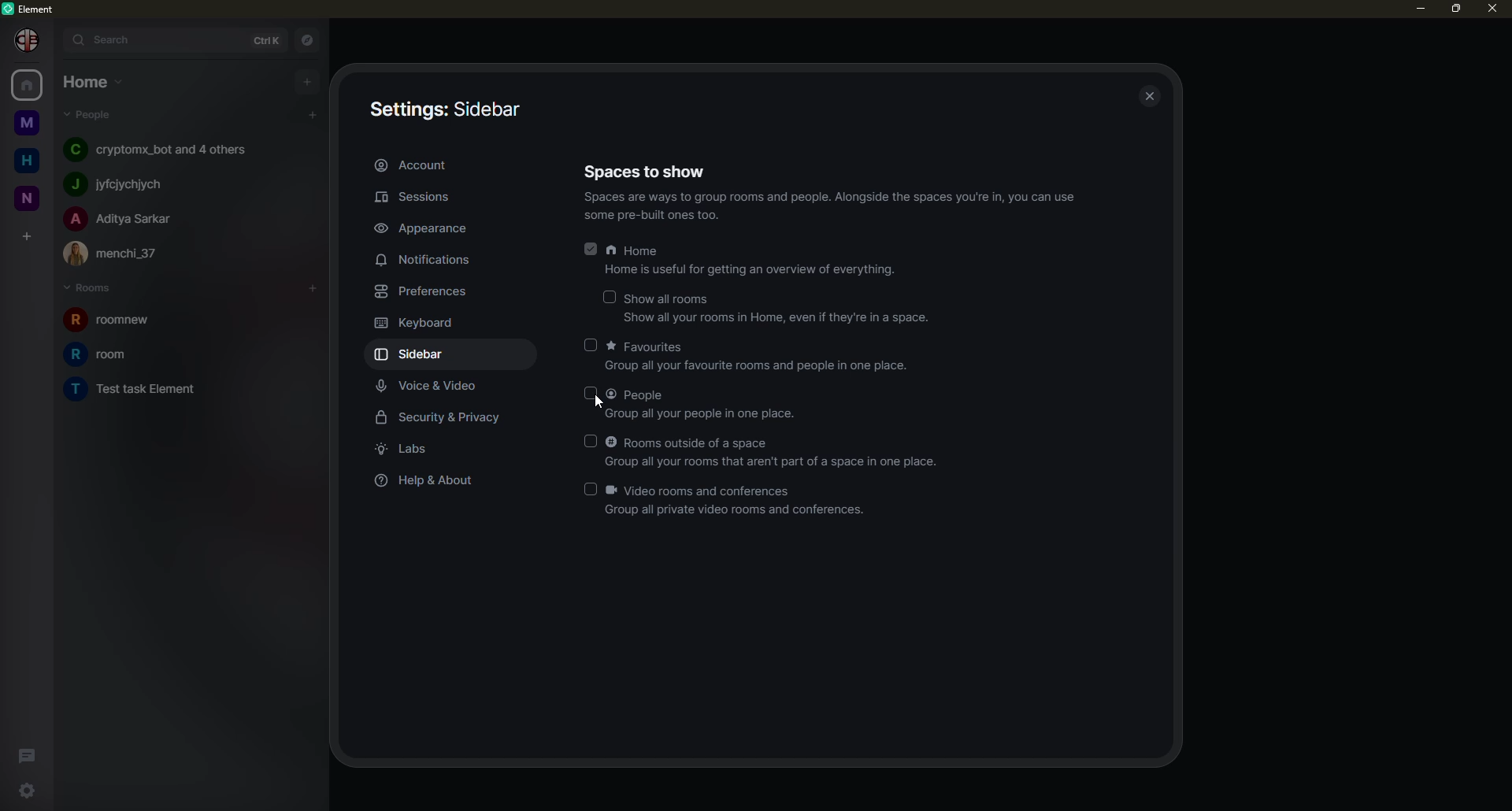 This screenshot has height=811, width=1512. What do you see at coordinates (125, 252) in the screenshot?
I see `people` at bounding box center [125, 252].